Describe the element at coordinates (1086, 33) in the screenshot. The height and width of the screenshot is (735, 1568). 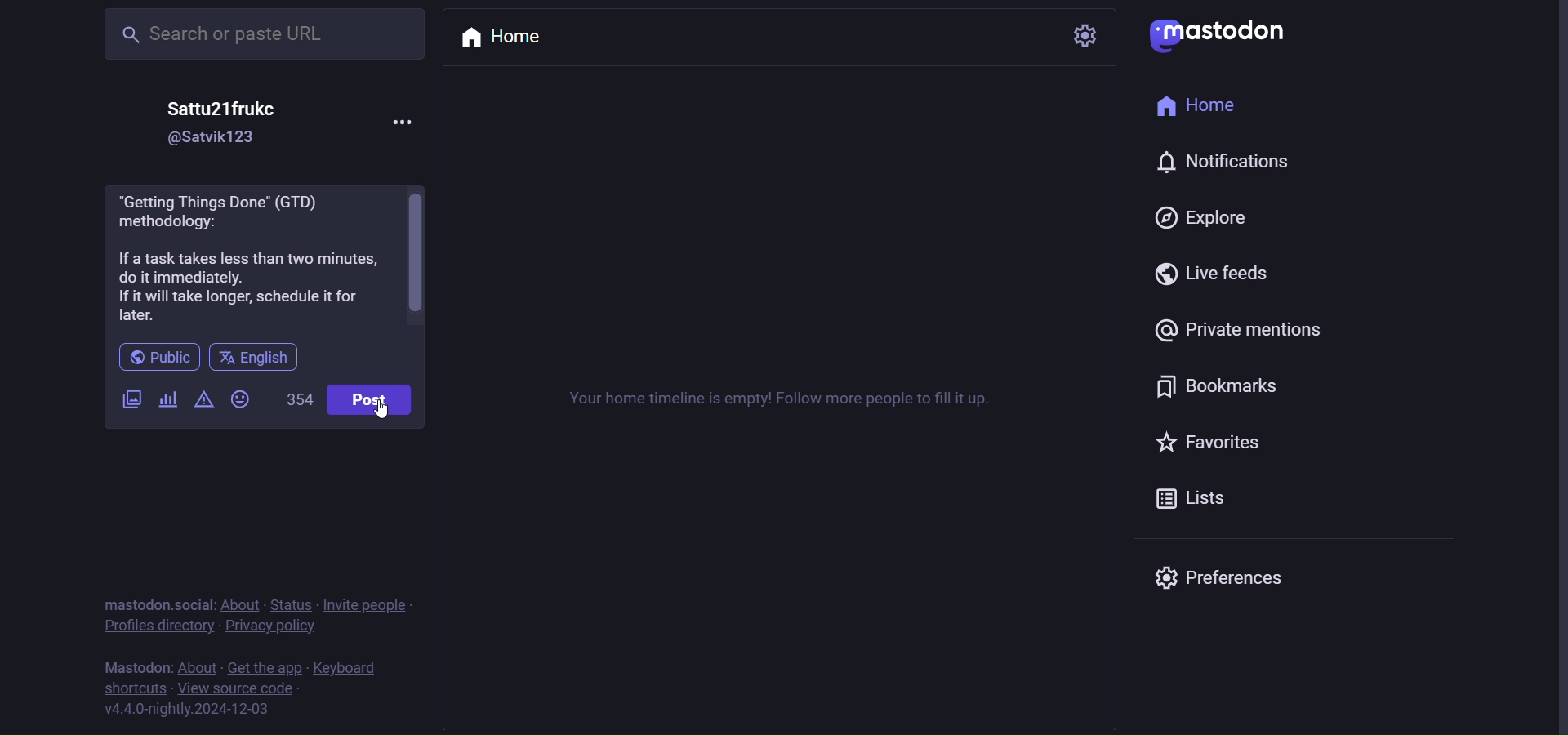
I see `setting` at that location.